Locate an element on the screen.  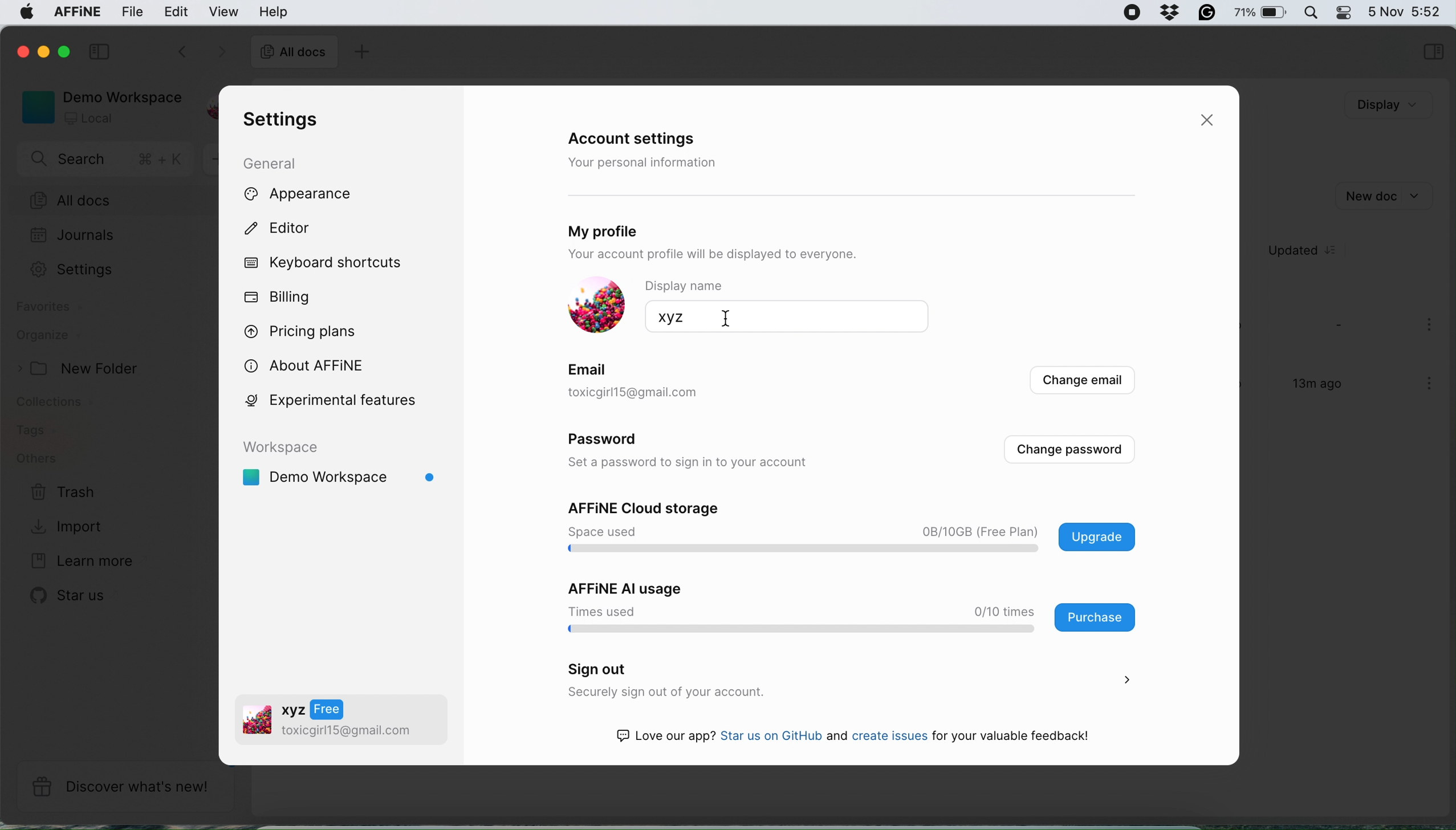
editor is located at coordinates (289, 230).